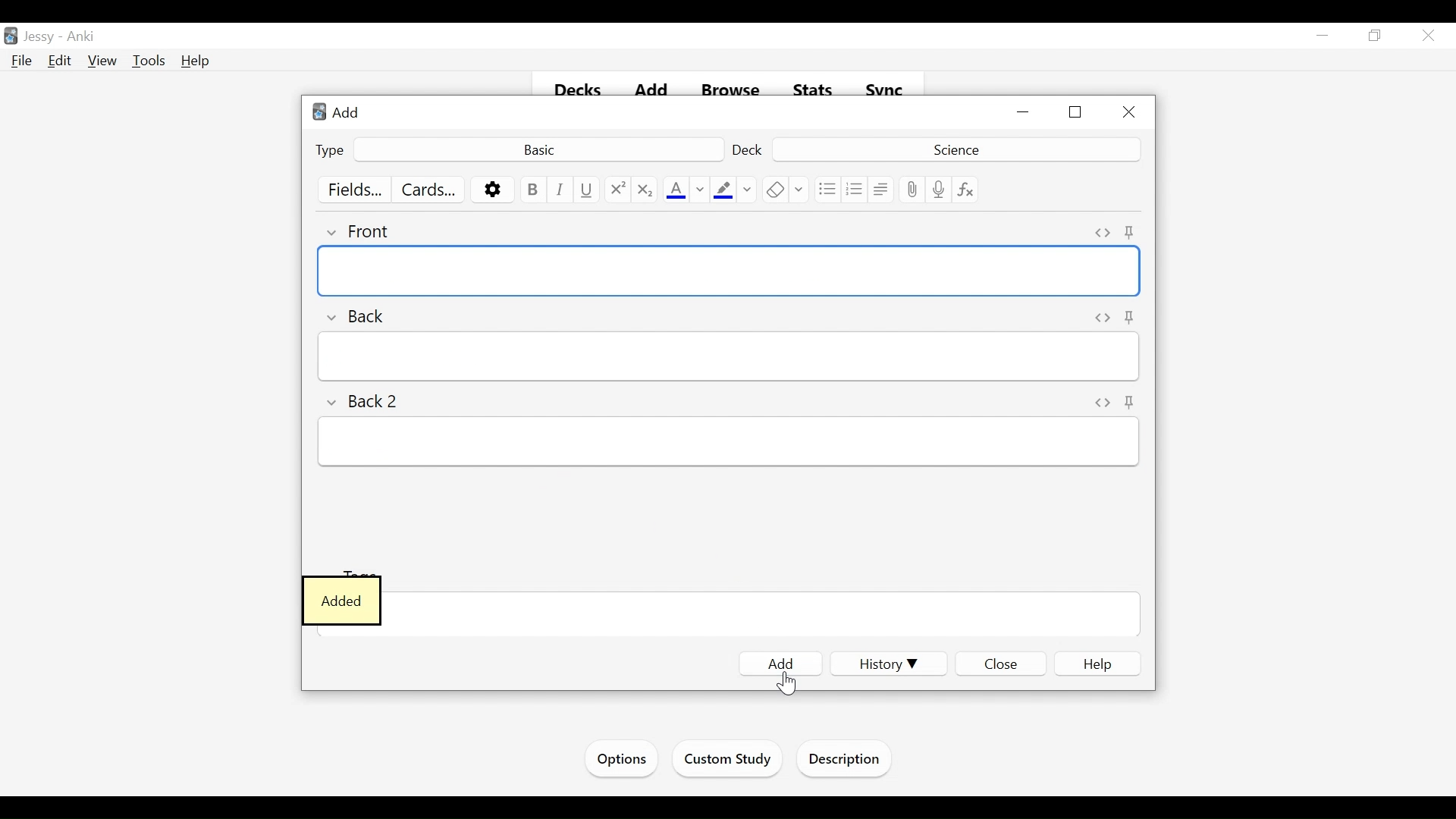 The image size is (1456, 819). I want to click on Alignment, so click(881, 190).